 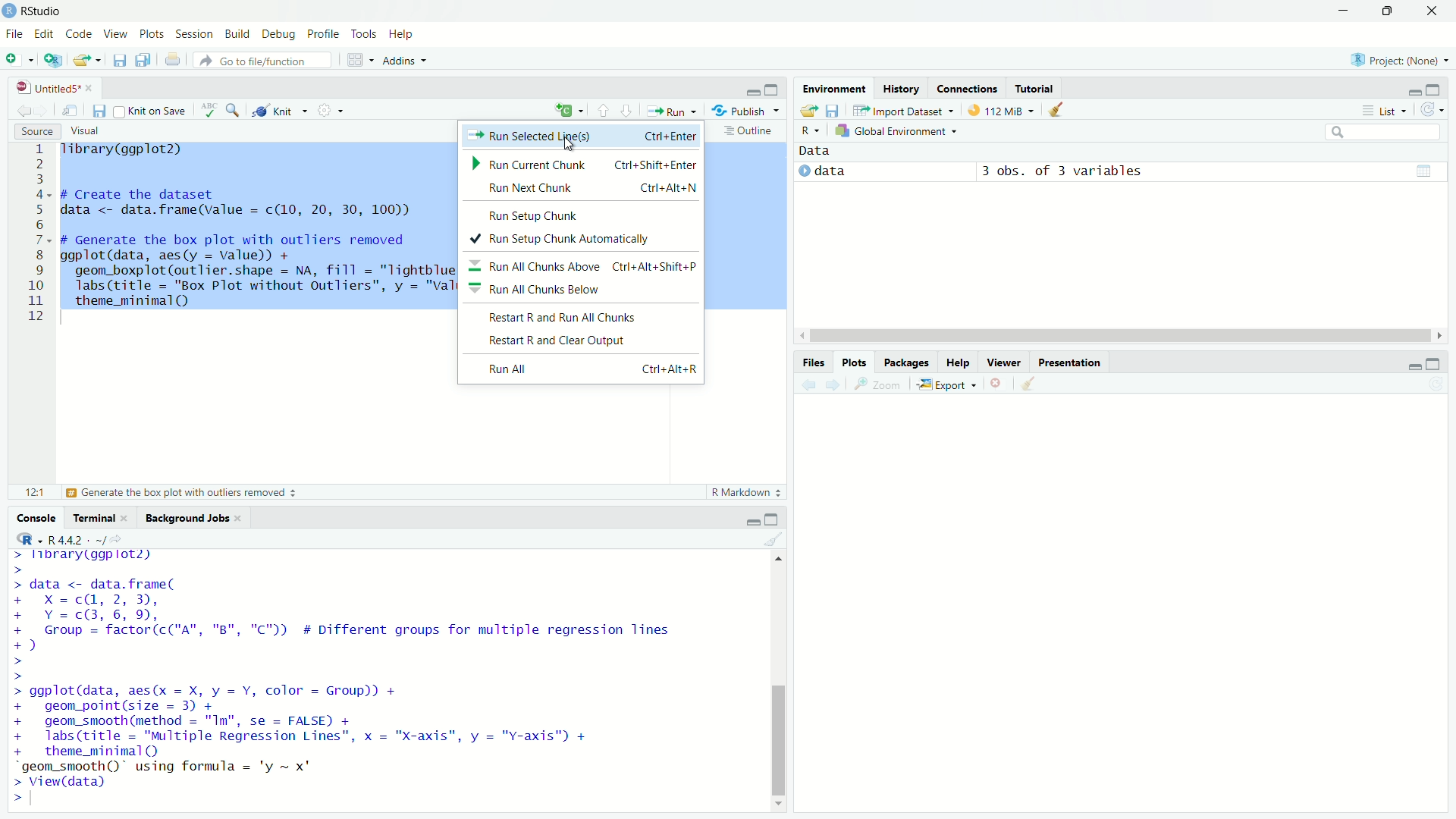 What do you see at coordinates (541, 215) in the screenshot?
I see `Run Setup Chunk` at bounding box center [541, 215].